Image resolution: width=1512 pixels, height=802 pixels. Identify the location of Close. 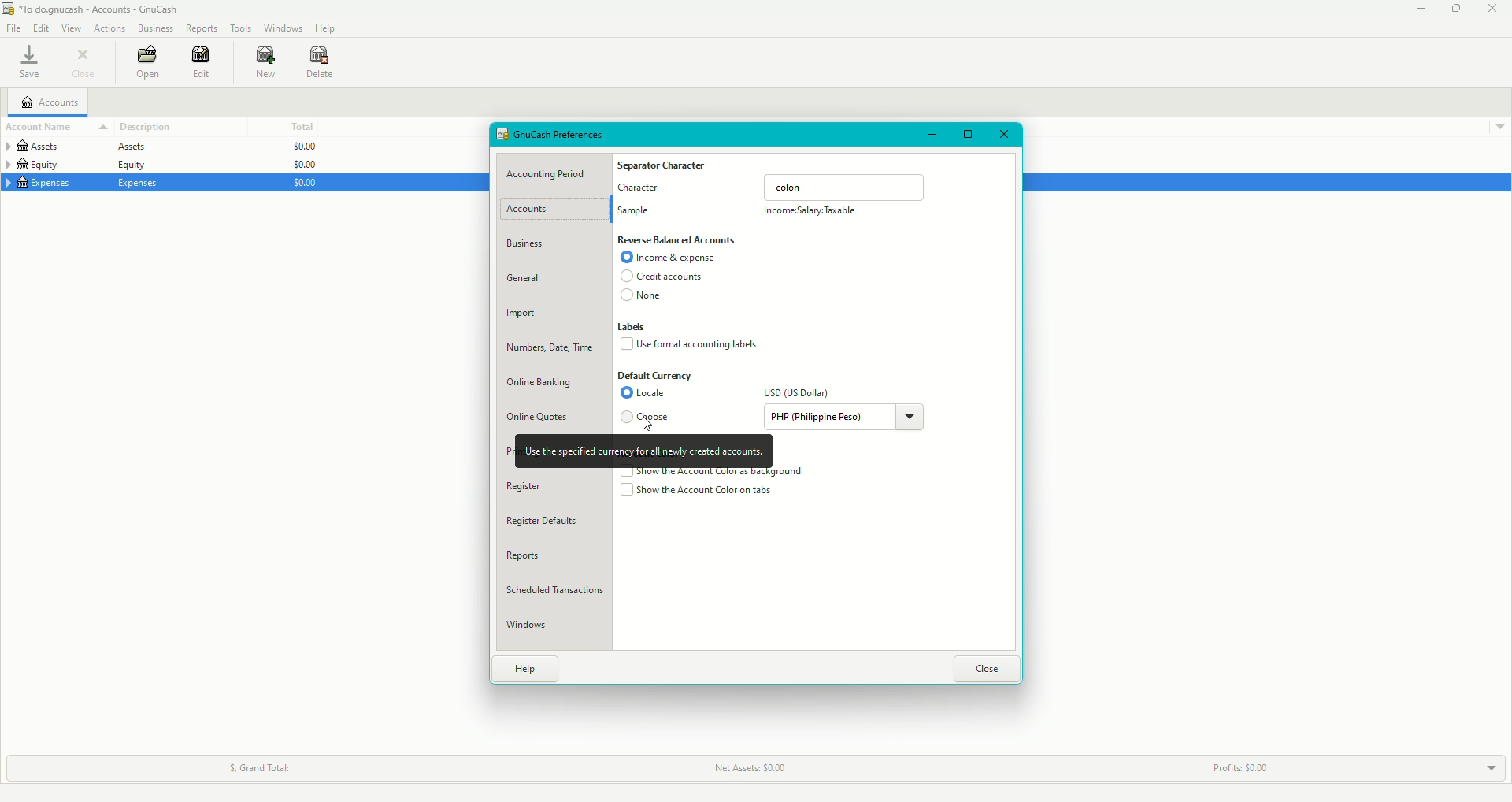
(1493, 9).